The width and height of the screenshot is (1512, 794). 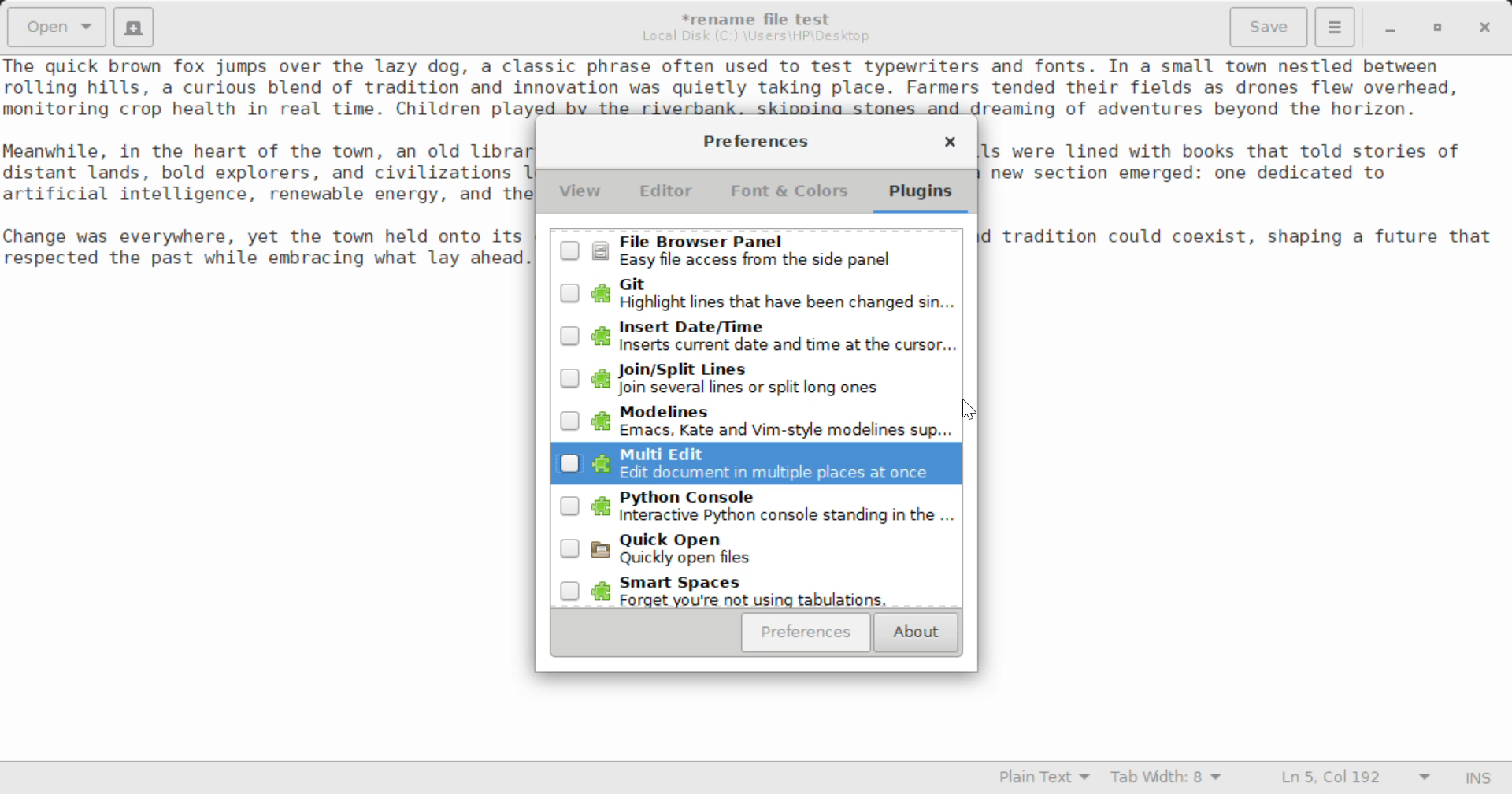 What do you see at coordinates (1487, 26) in the screenshot?
I see `Close Window` at bounding box center [1487, 26].